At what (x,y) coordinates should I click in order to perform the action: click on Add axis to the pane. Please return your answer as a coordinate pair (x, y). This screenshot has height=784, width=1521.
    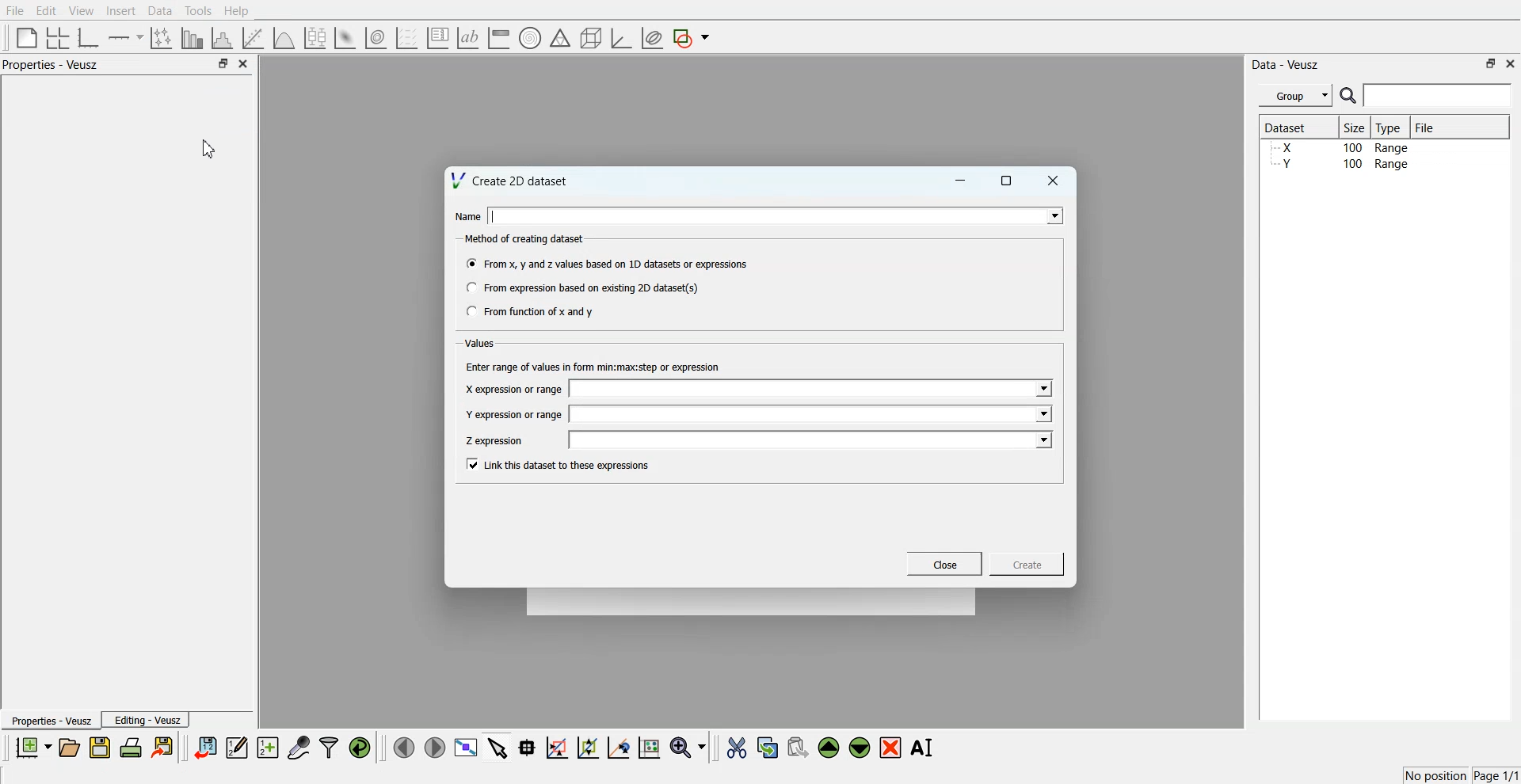
    Looking at the image, I should click on (125, 39).